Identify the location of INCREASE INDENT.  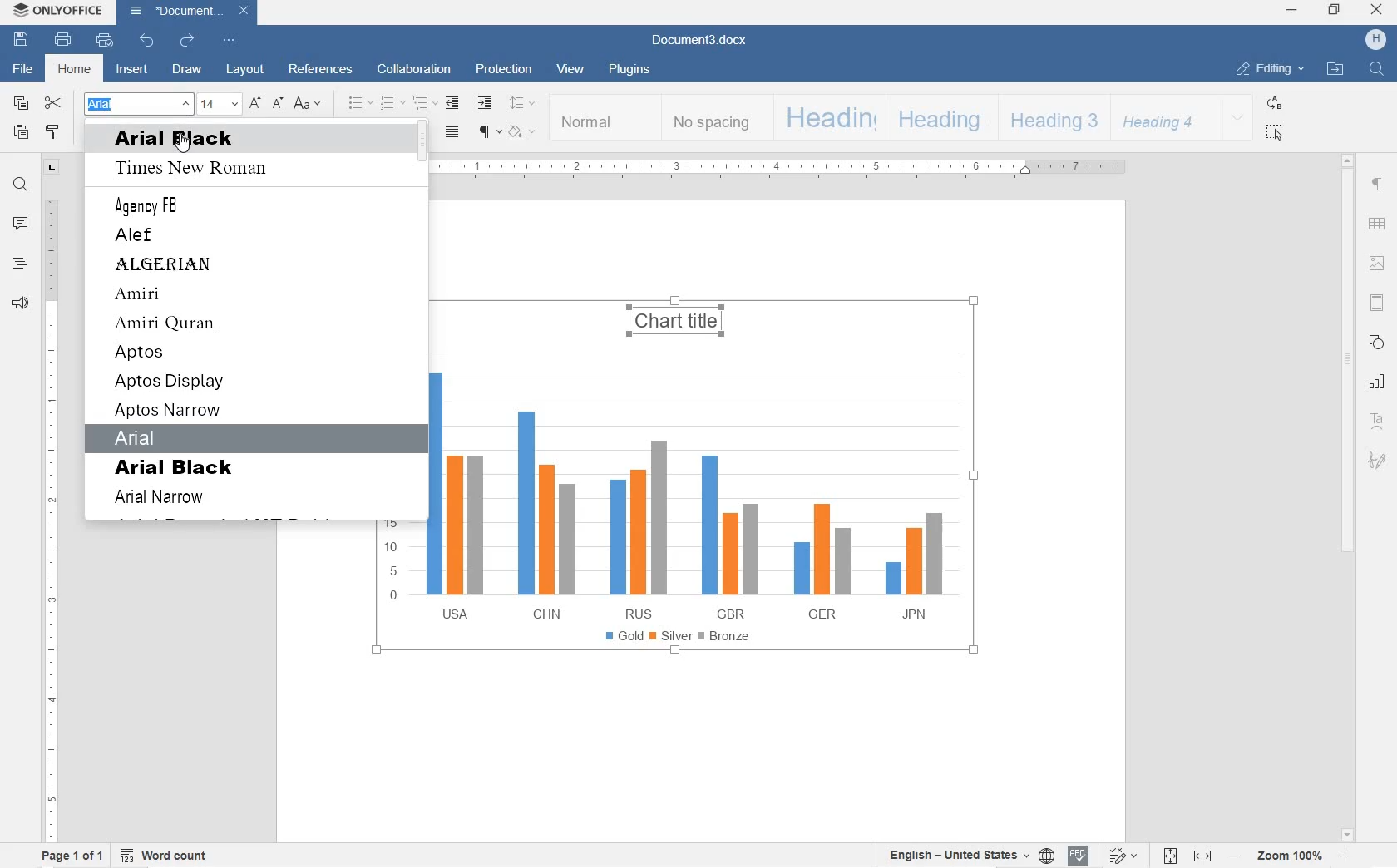
(486, 104).